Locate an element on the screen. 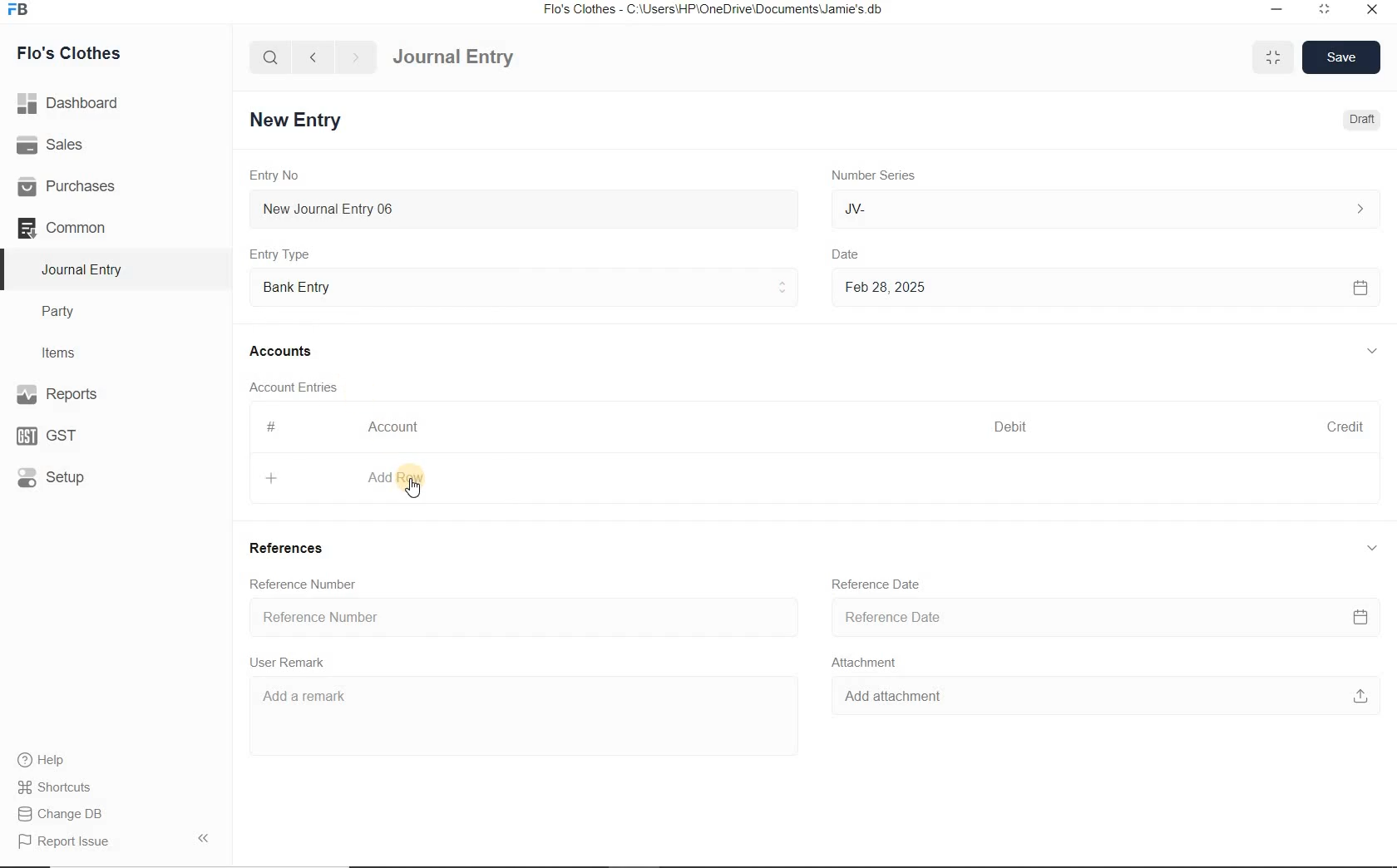  Save is located at coordinates (1342, 56).